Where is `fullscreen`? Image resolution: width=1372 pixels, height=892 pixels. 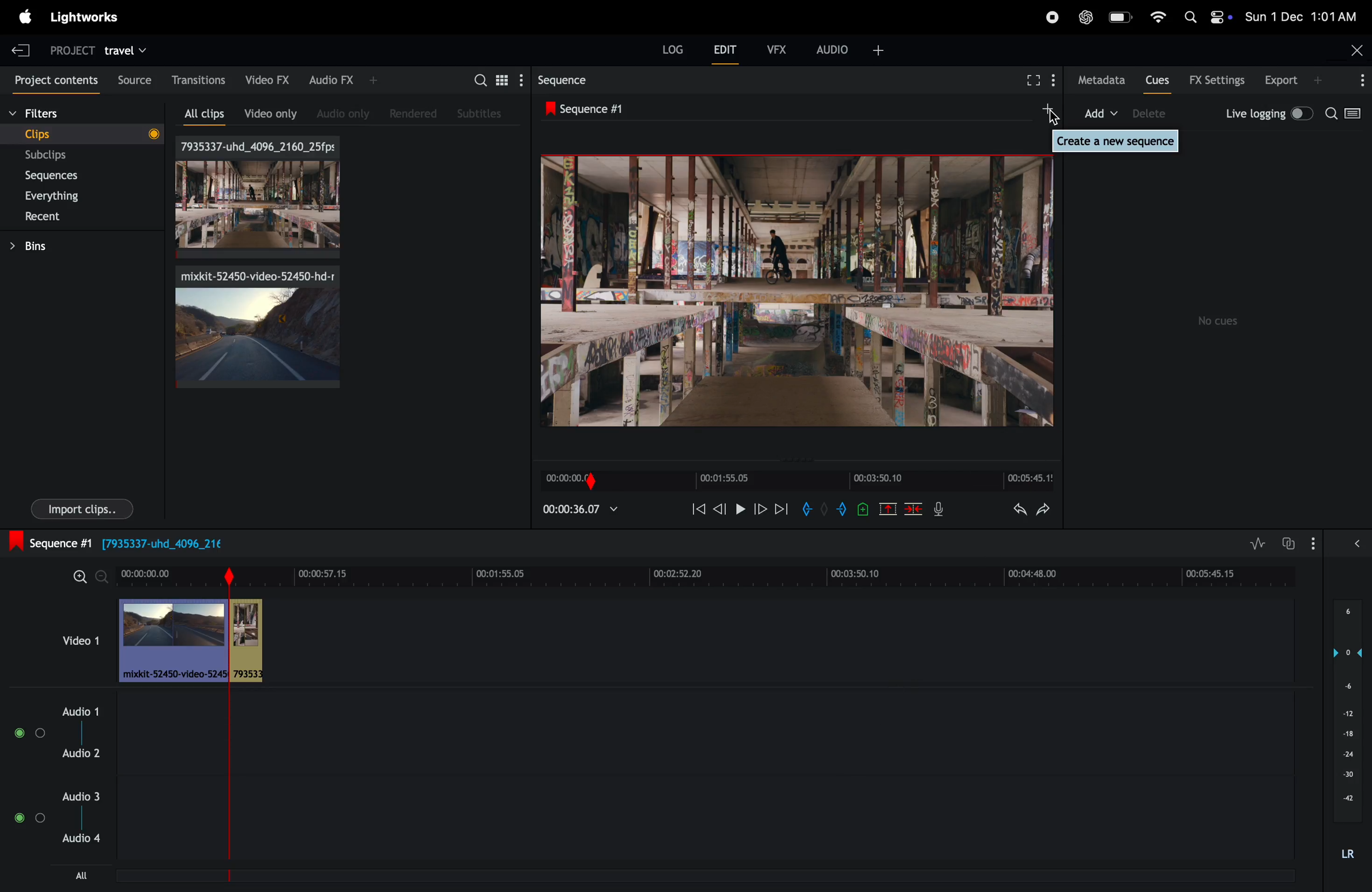
fullscreen is located at coordinates (1036, 80).